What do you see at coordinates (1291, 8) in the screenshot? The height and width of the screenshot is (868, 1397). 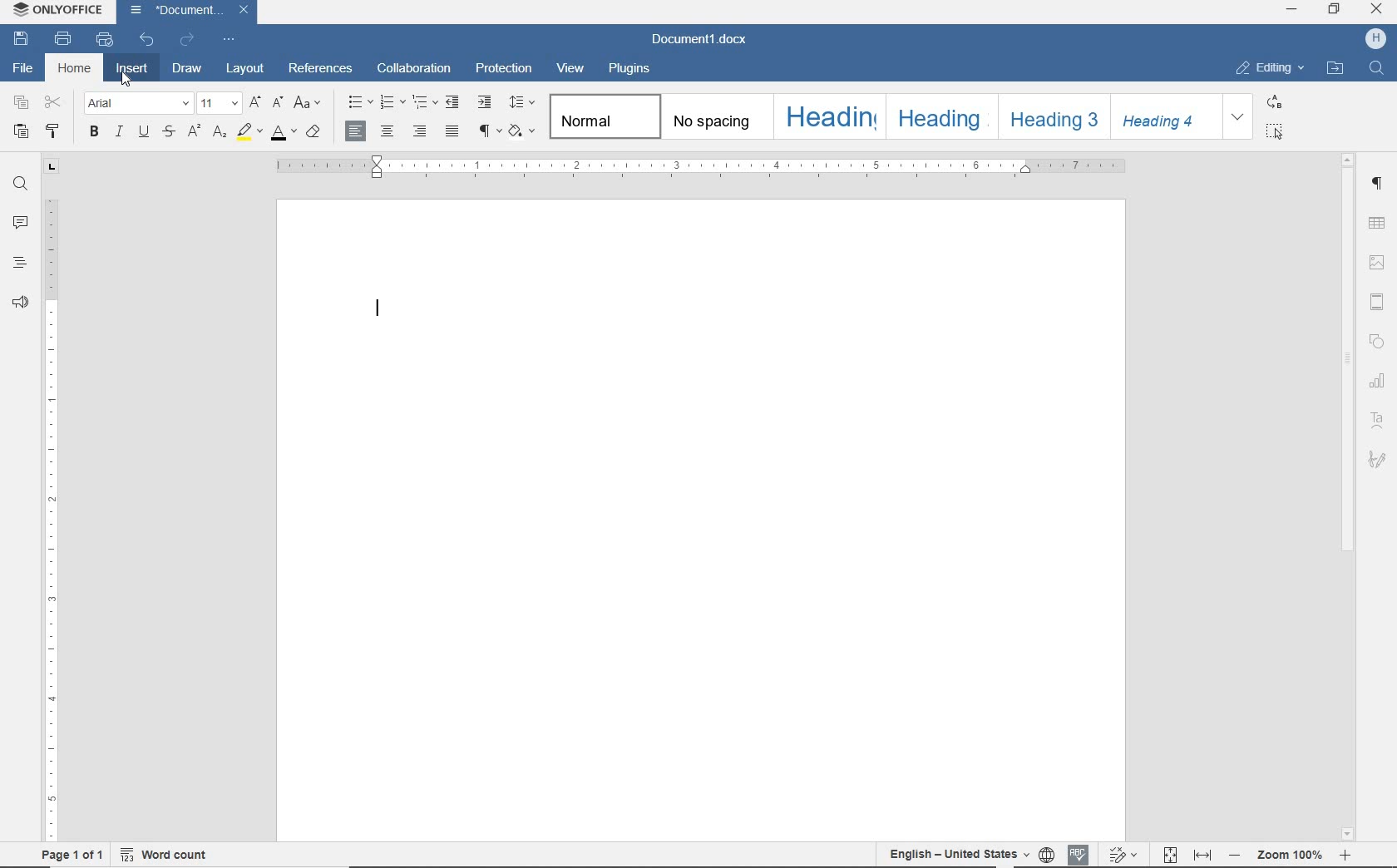 I see `minimize` at bounding box center [1291, 8].